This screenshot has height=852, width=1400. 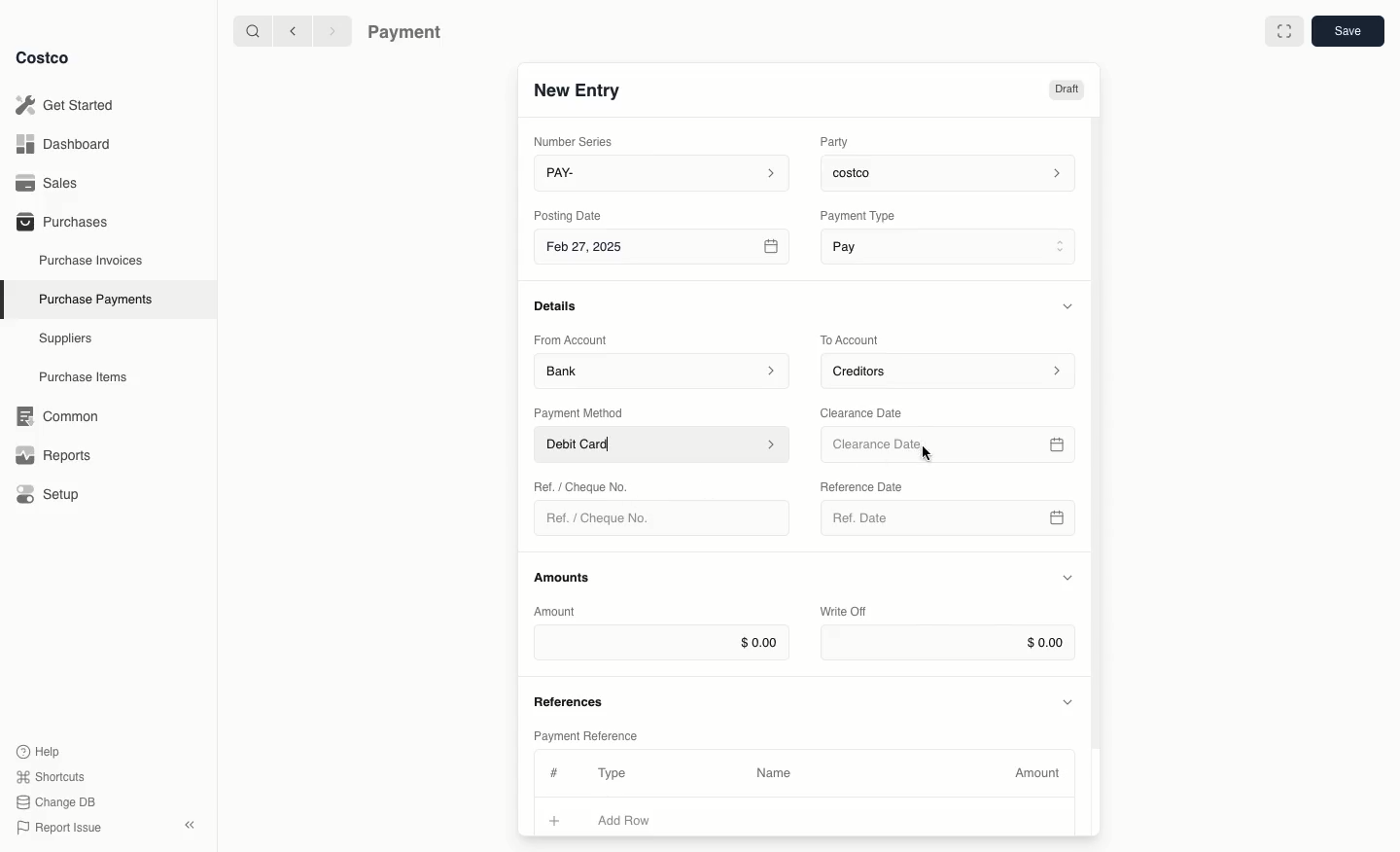 I want to click on From Account, so click(x=571, y=339).